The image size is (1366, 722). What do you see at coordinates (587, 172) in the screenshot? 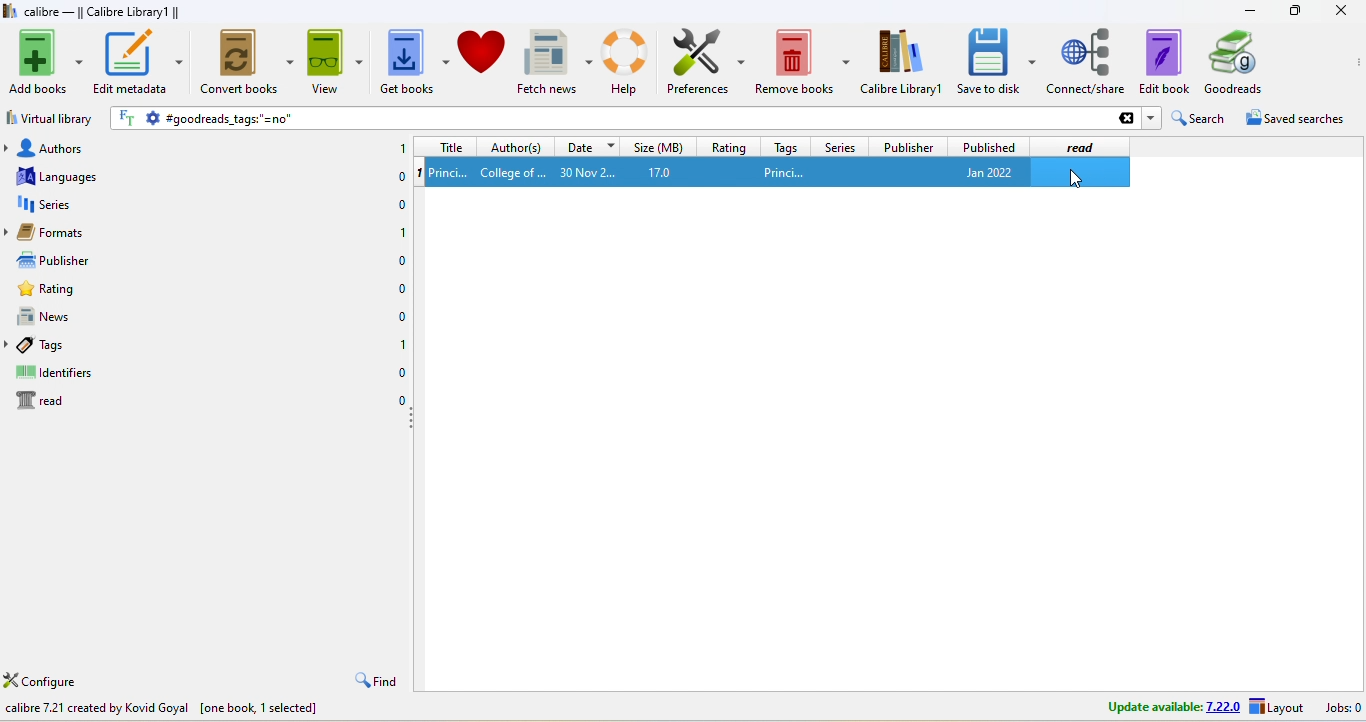
I see `30 nov 2` at bounding box center [587, 172].